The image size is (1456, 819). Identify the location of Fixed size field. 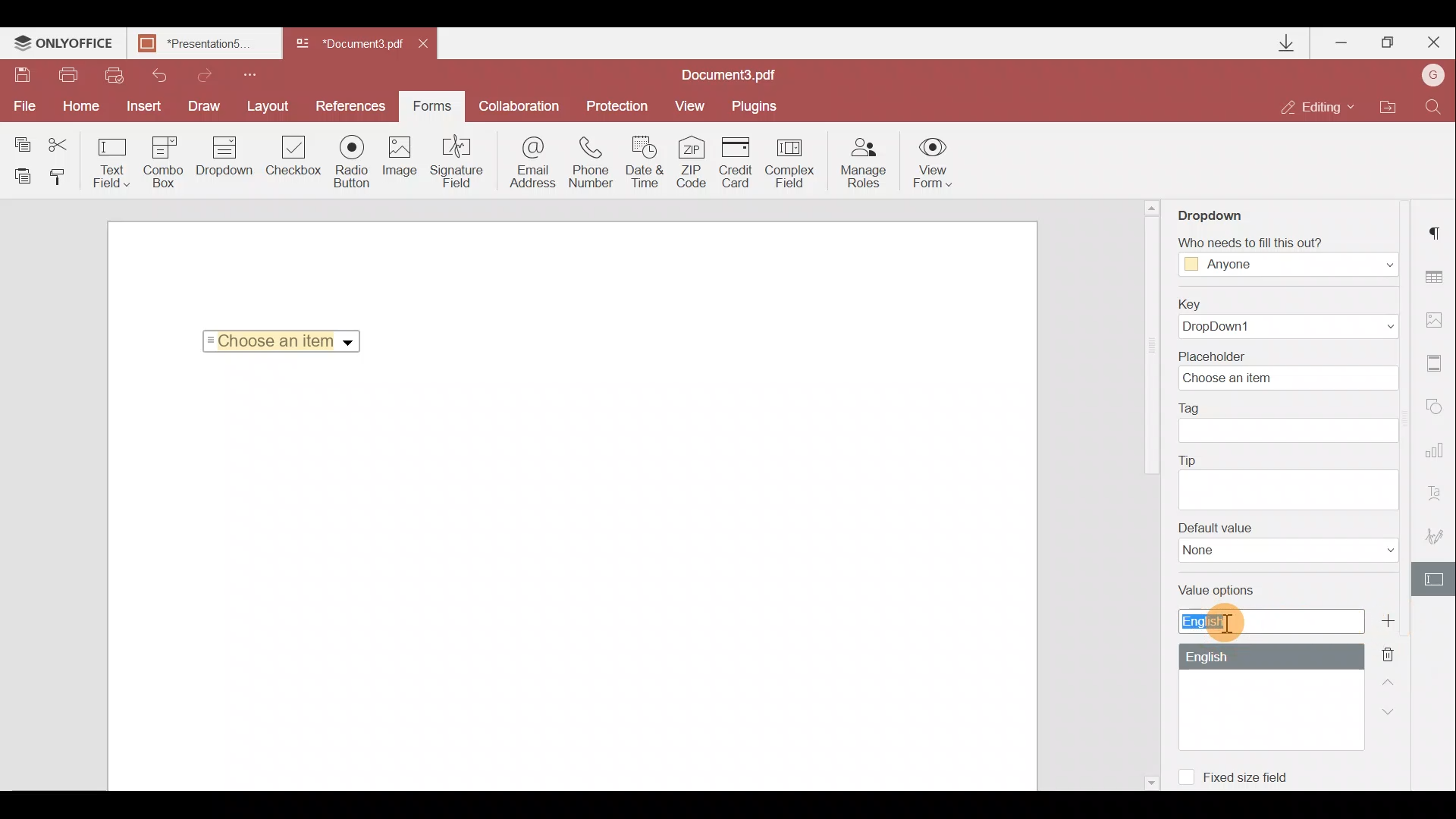
(1241, 774).